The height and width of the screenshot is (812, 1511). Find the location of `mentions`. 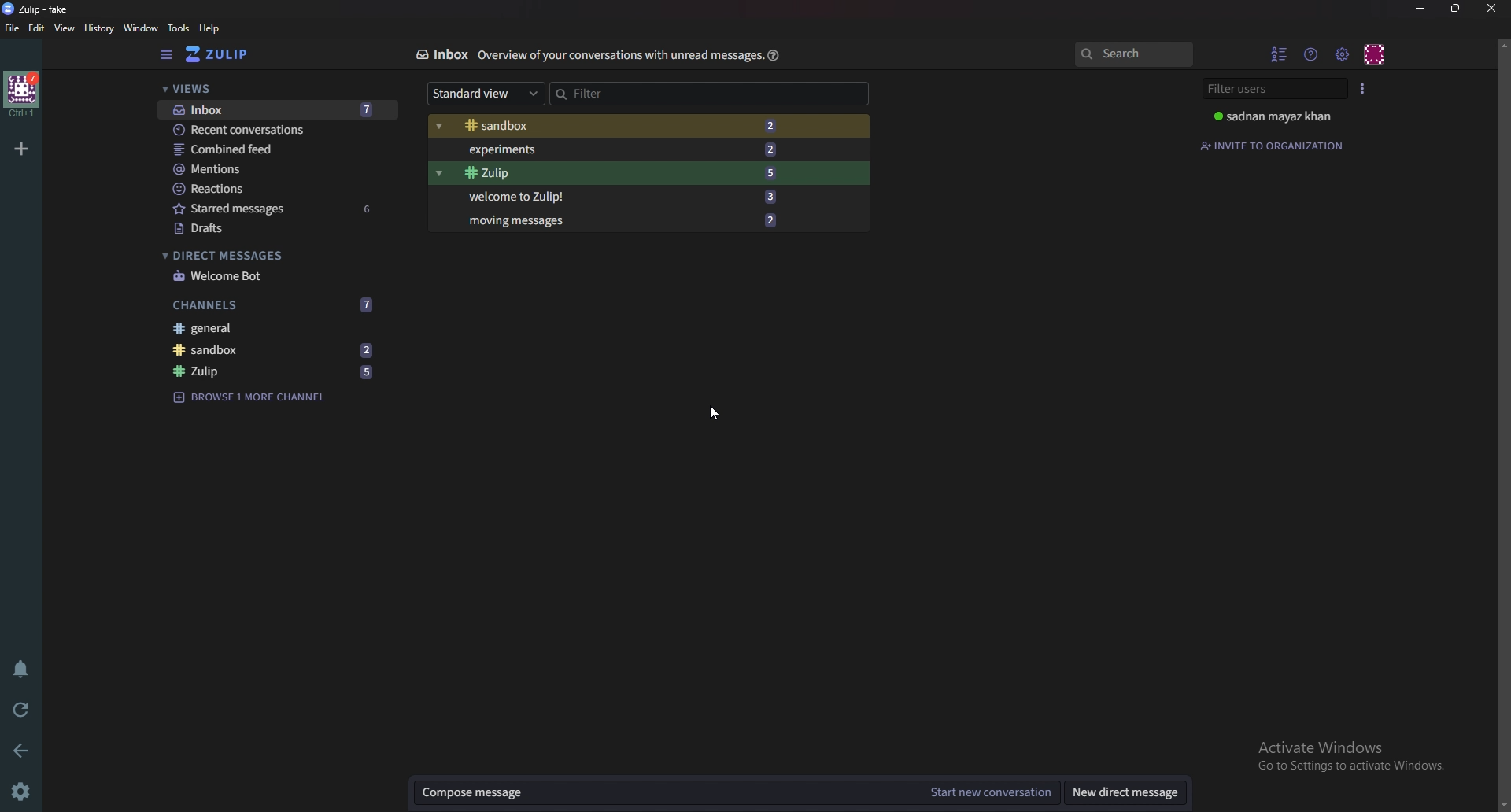

mentions is located at coordinates (277, 170).